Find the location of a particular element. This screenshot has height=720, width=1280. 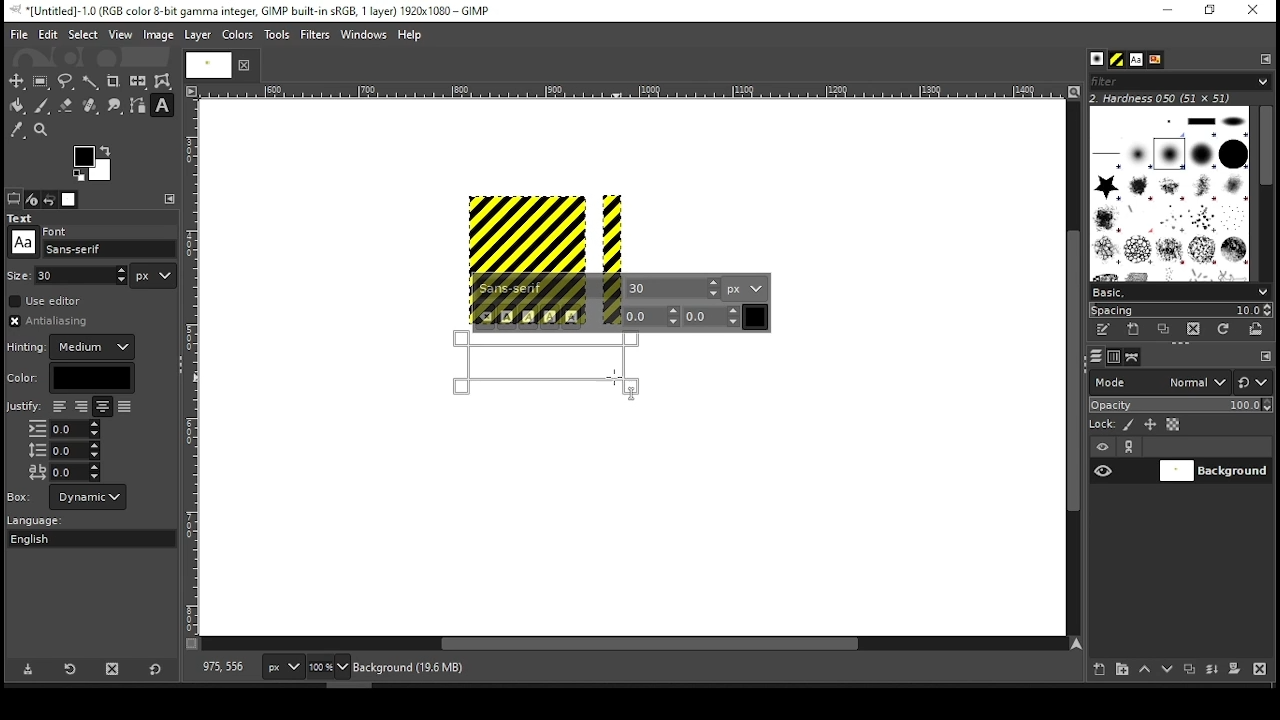

font size is located at coordinates (83, 275).